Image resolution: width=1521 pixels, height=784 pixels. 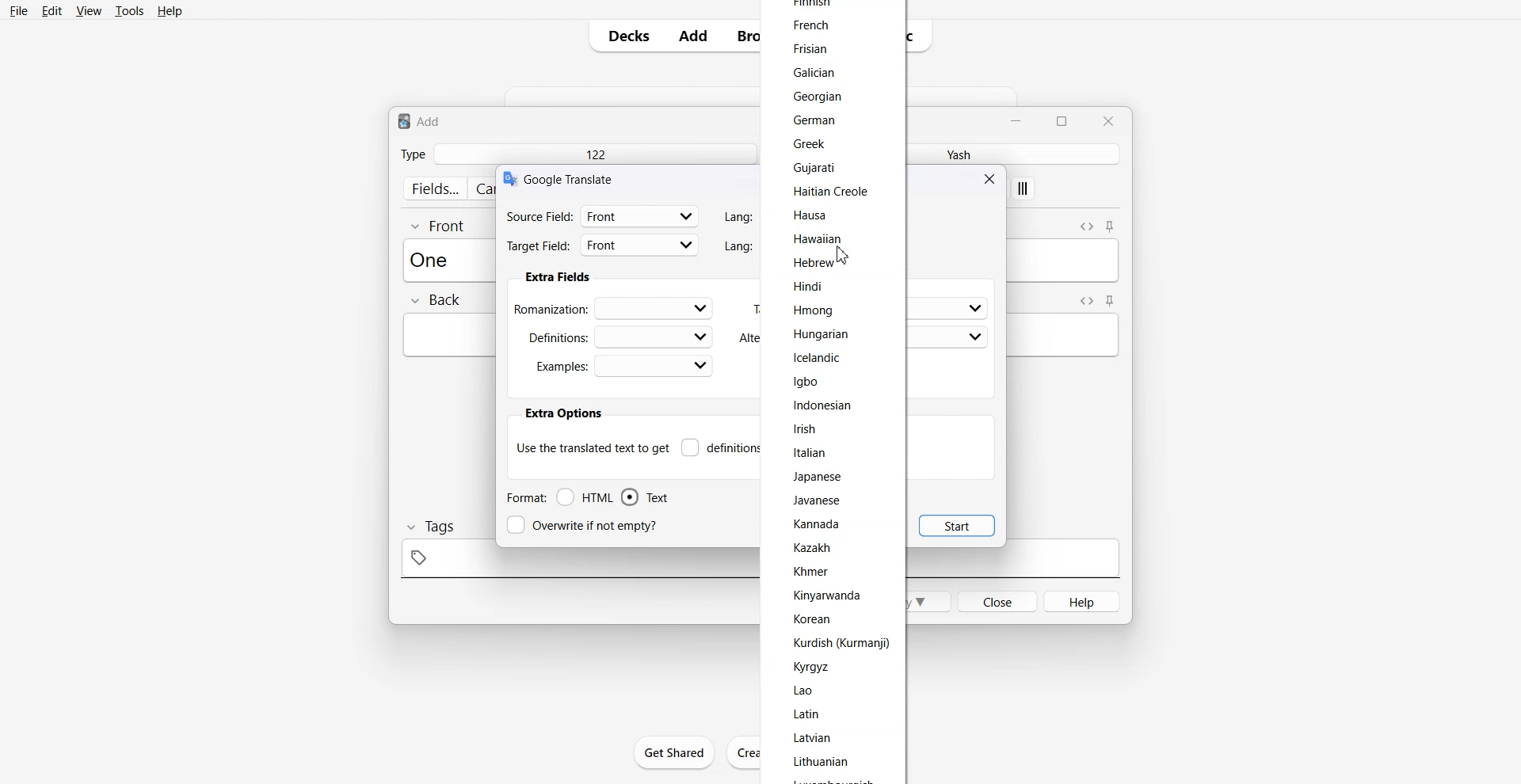 What do you see at coordinates (434, 259) in the screenshot?
I see `Text` at bounding box center [434, 259].